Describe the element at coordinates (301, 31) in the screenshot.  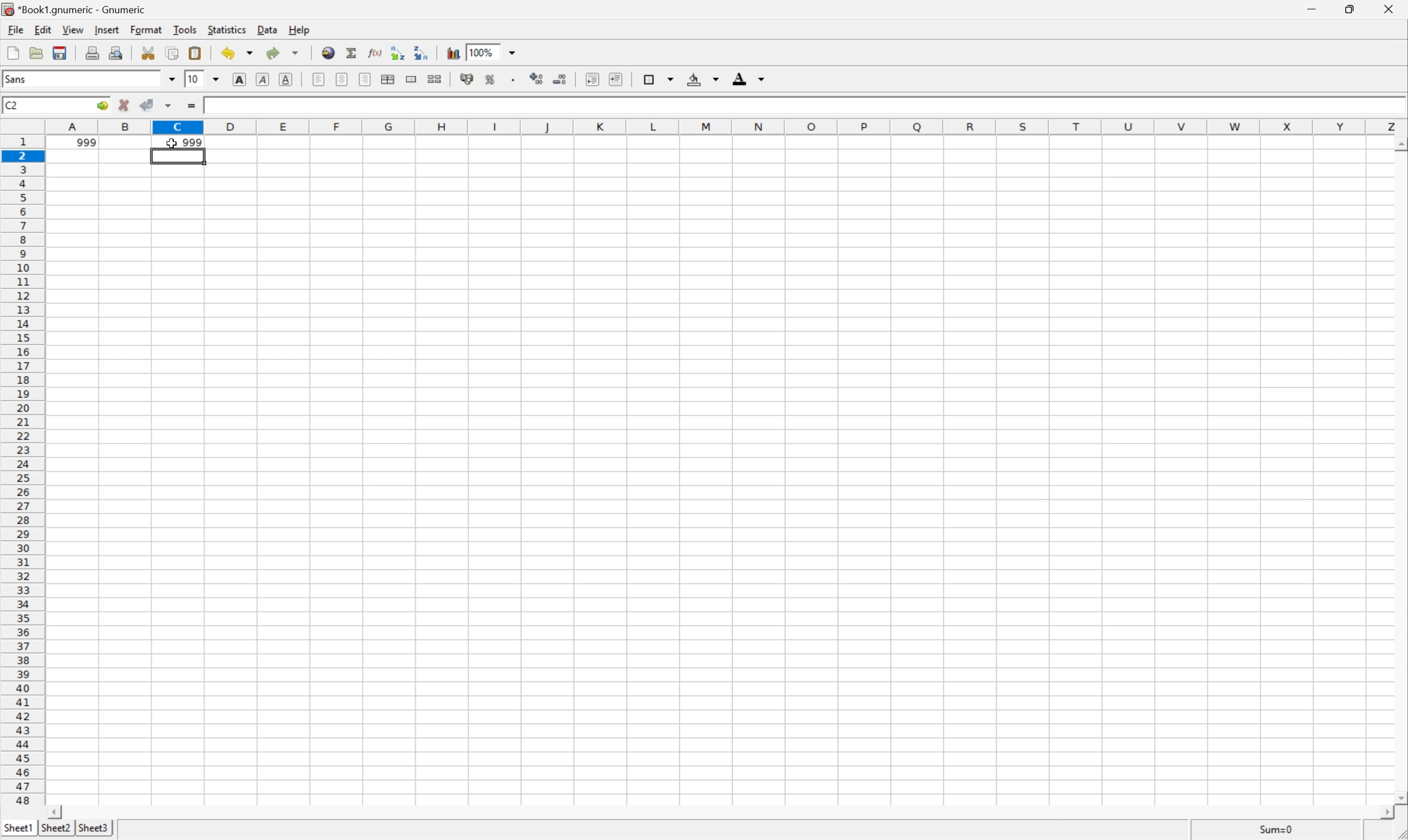
I see `help` at that location.